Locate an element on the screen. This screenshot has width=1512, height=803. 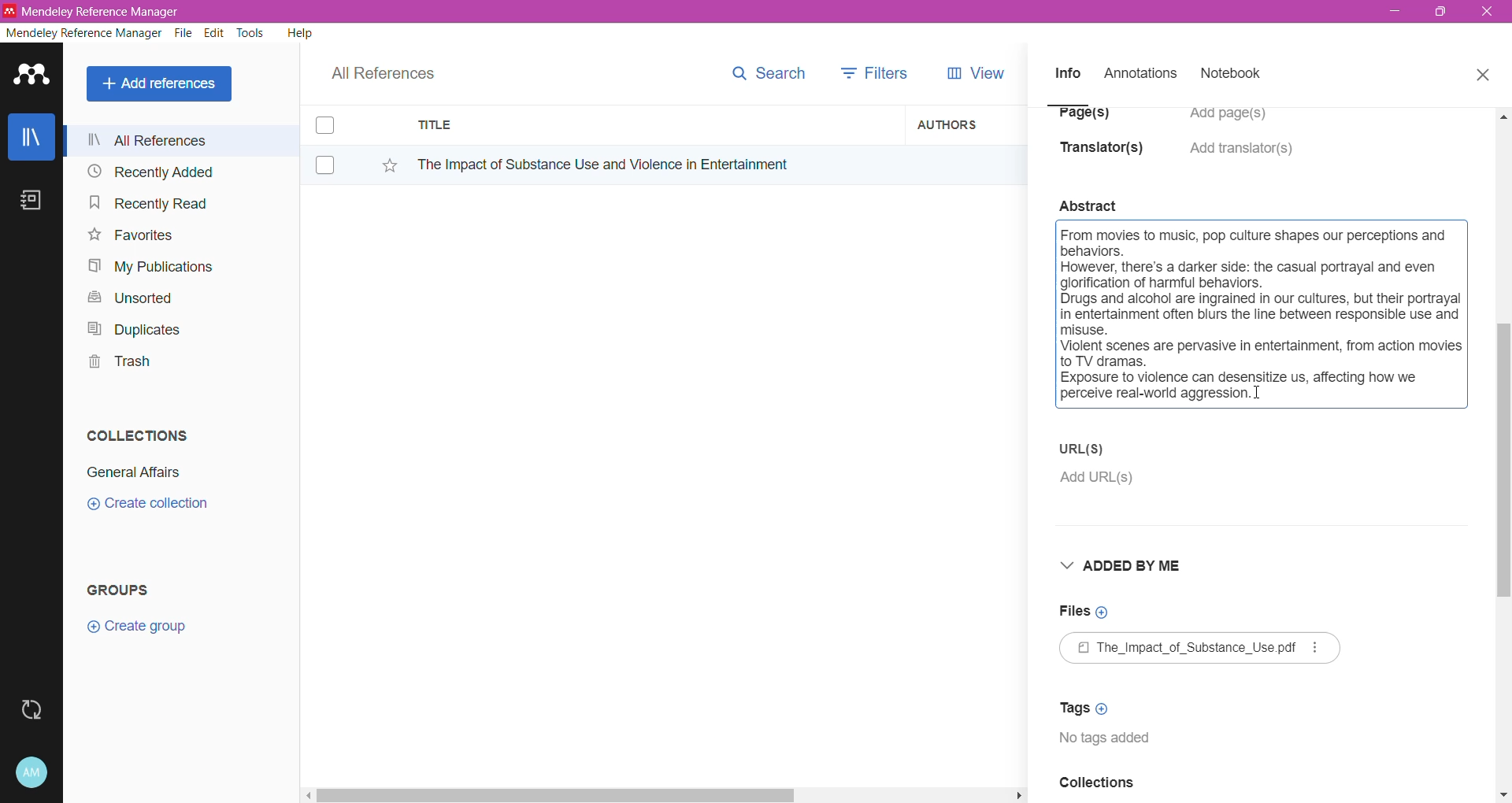
Click to Add Pages is located at coordinates (1236, 121).